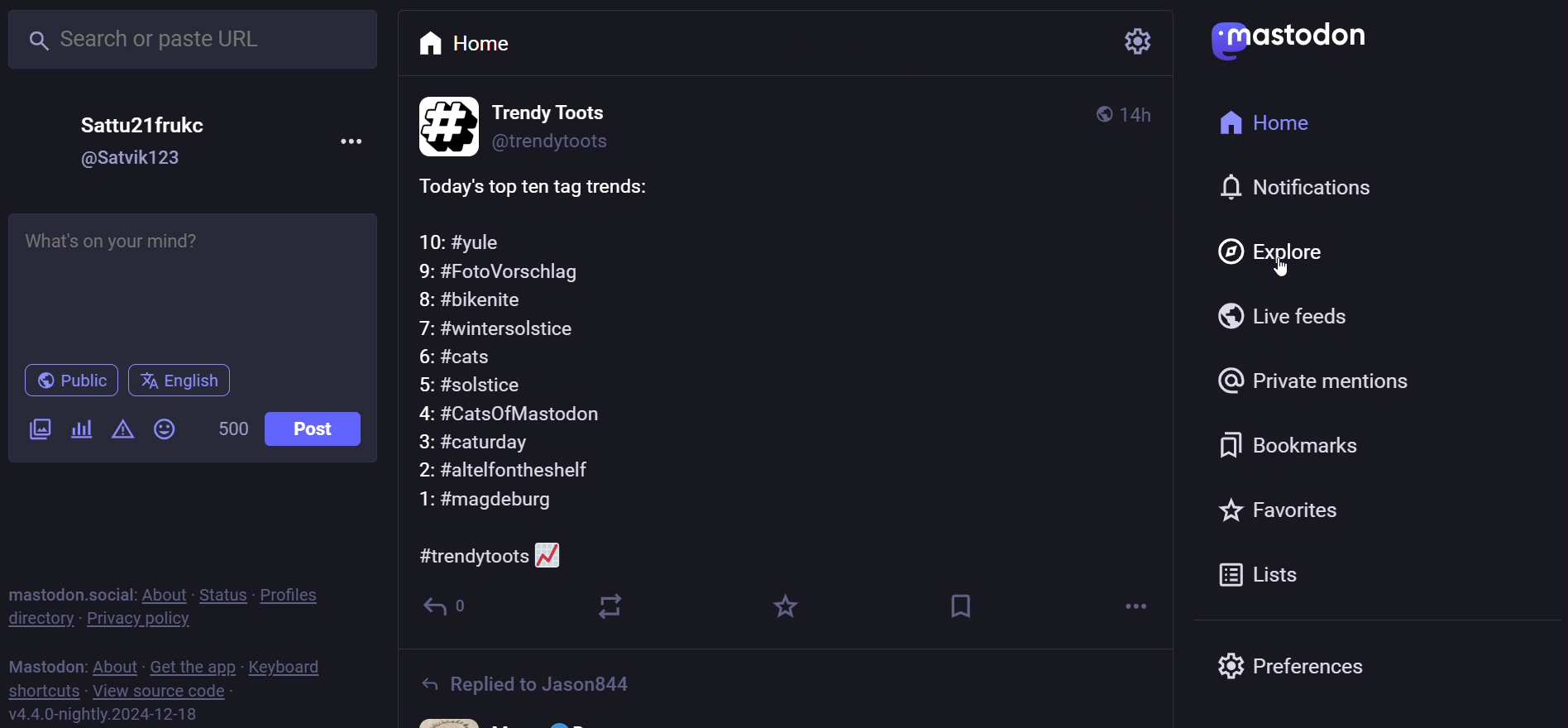 The width and height of the screenshot is (1568, 728). What do you see at coordinates (790, 606) in the screenshot?
I see `favorite` at bounding box center [790, 606].